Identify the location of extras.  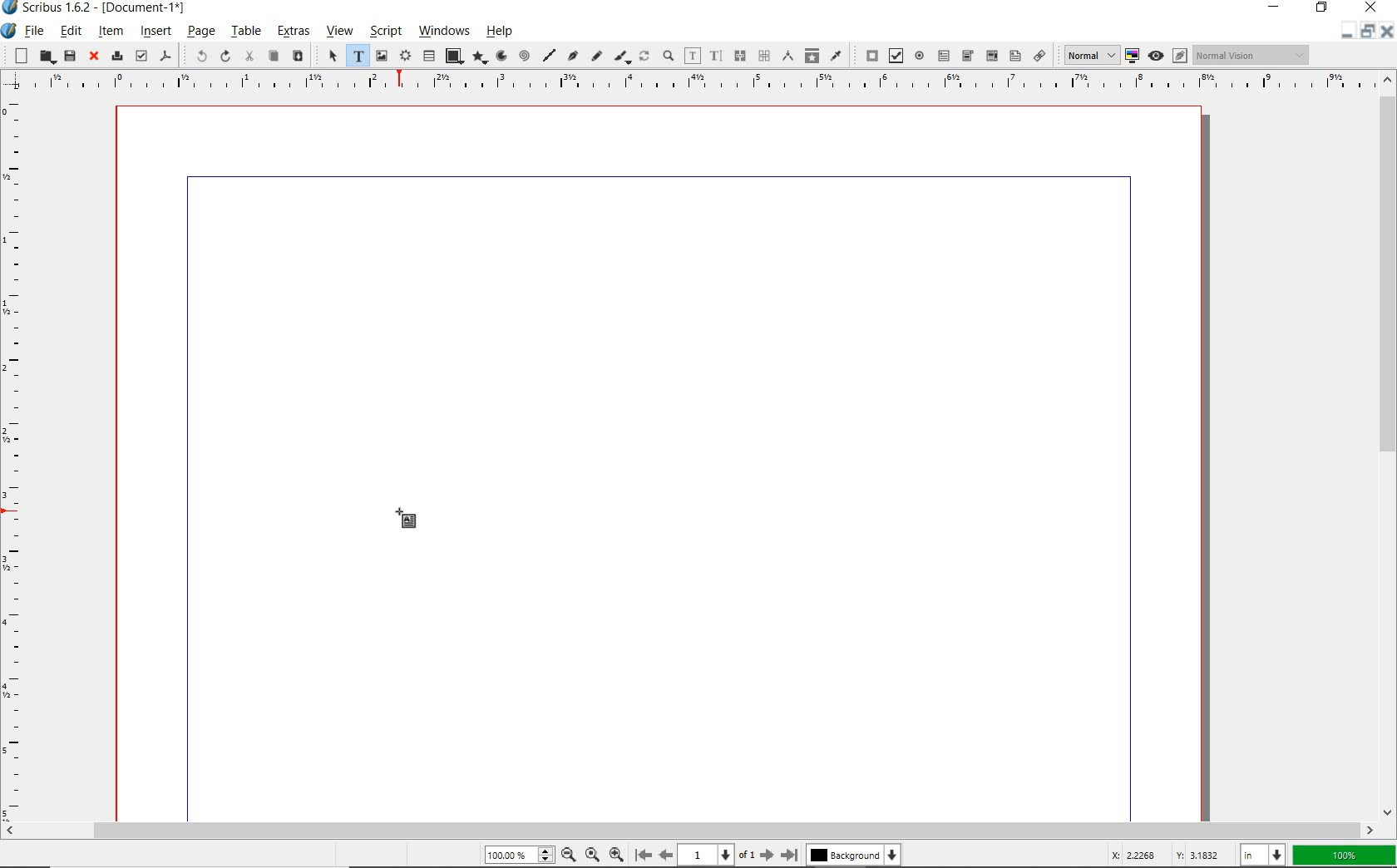
(293, 33).